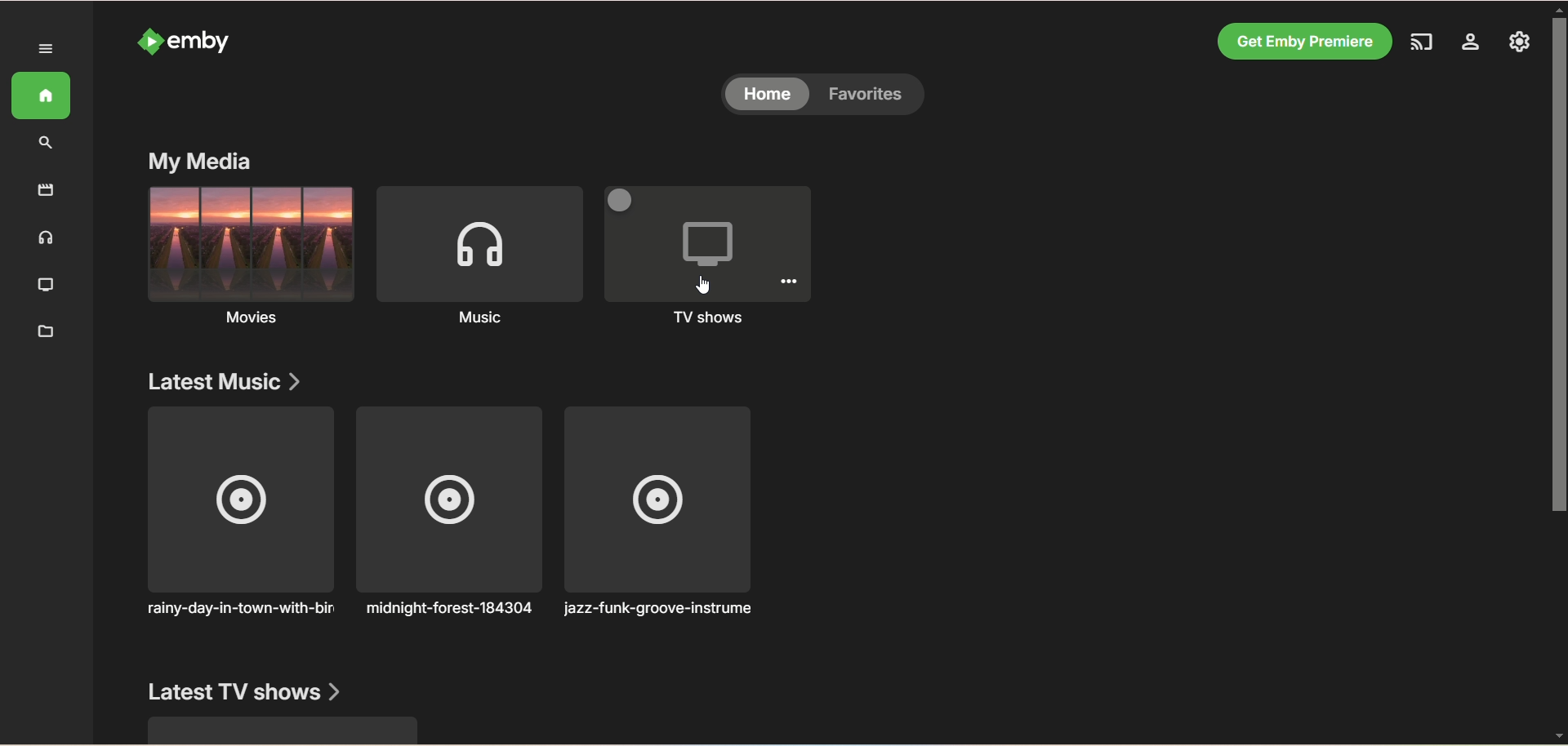 The image size is (1568, 746). I want to click on Movies, so click(252, 255).